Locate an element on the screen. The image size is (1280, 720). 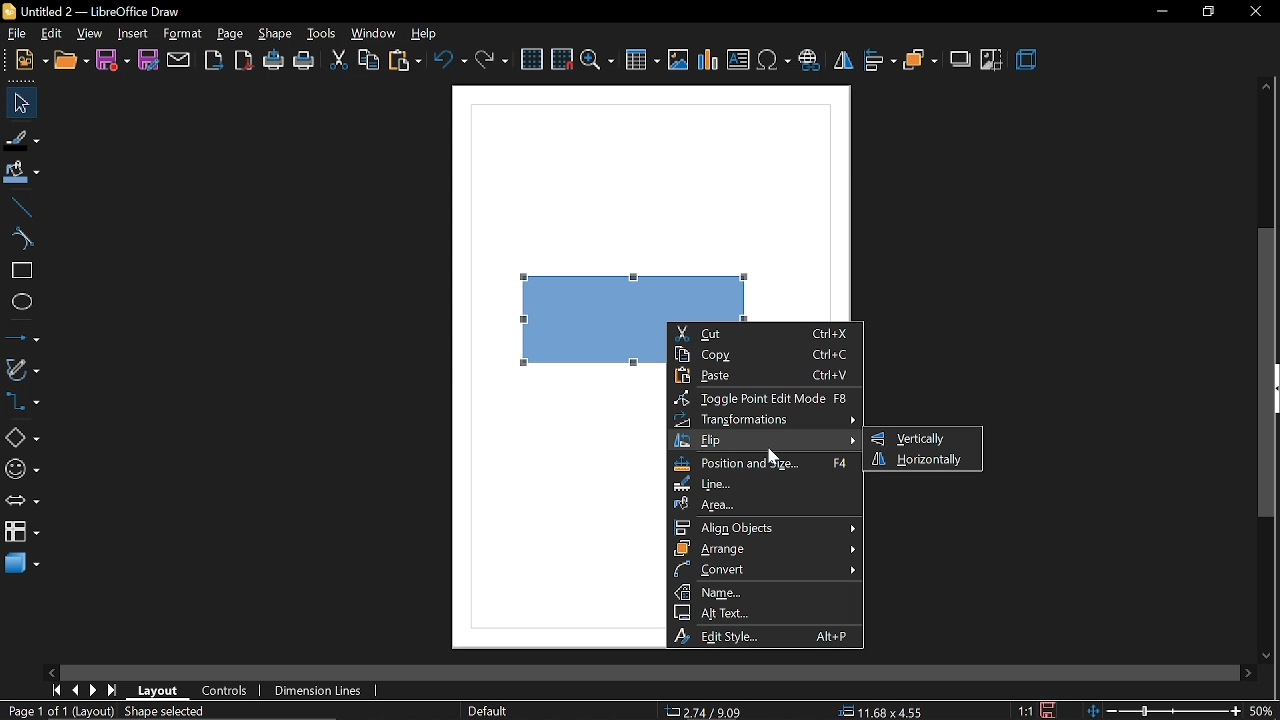
insert text is located at coordinates (738, 60).